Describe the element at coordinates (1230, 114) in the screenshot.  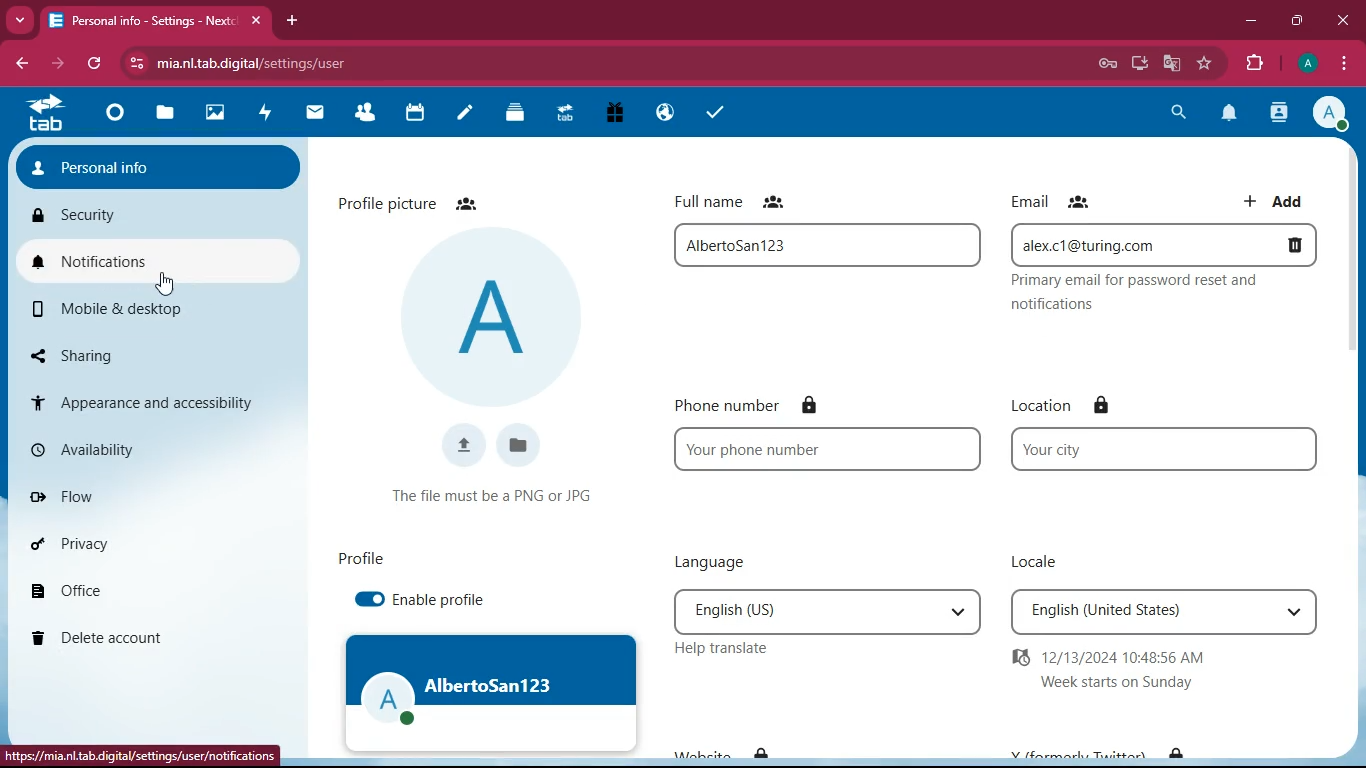
I see `notification` at that location.